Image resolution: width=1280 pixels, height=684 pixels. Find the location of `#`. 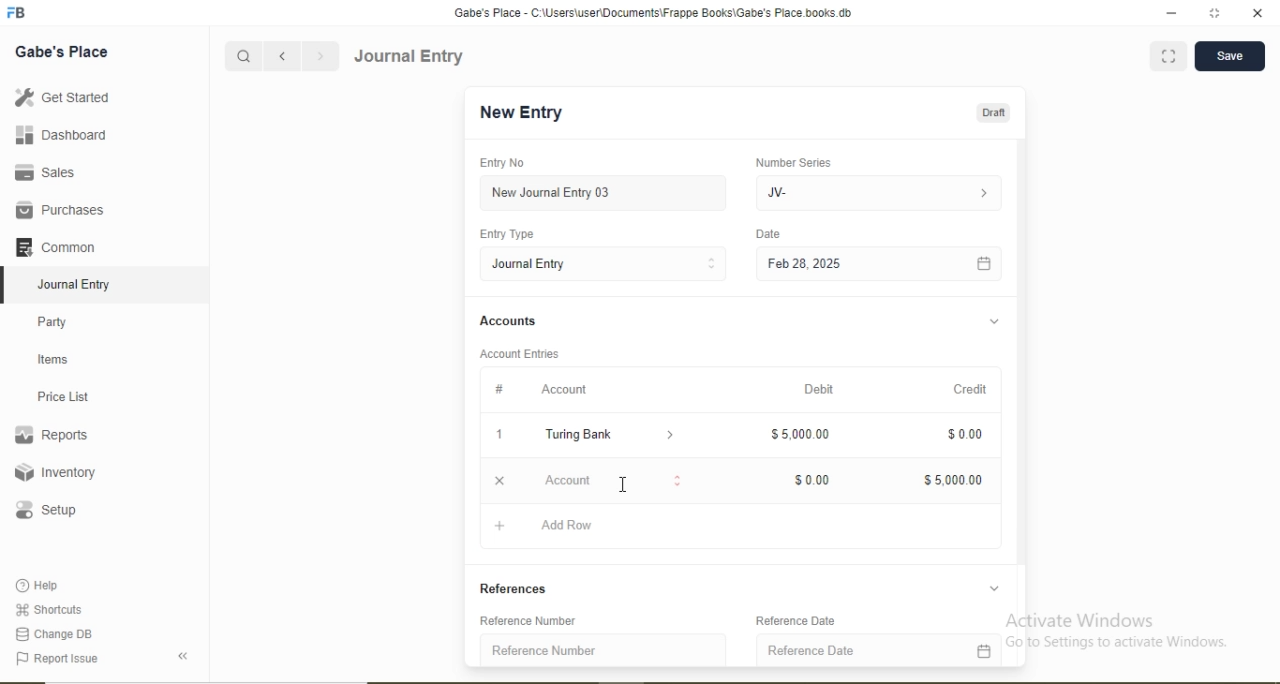

# is located at coordinates (500, 388).